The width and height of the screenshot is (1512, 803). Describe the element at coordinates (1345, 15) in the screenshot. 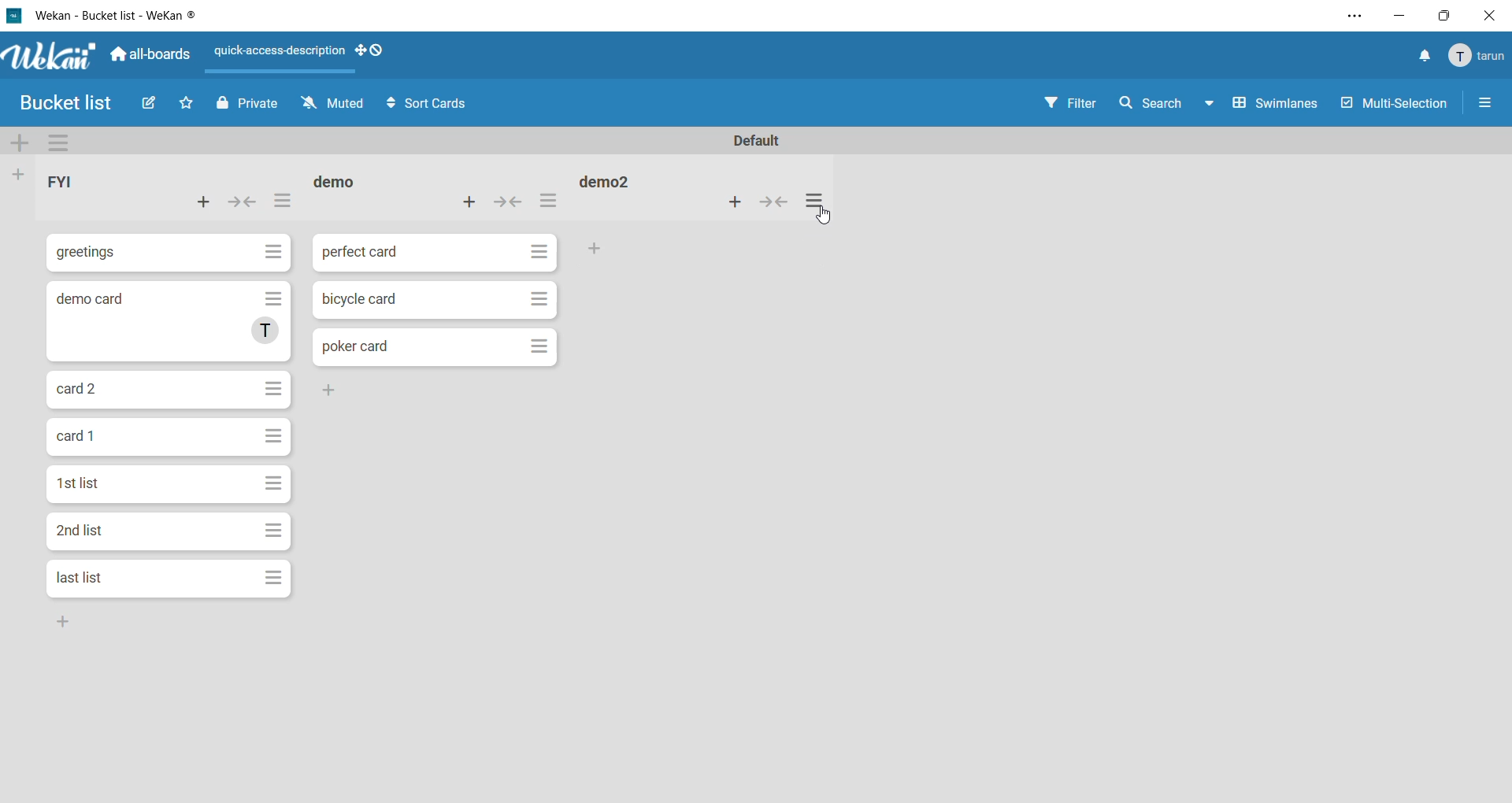

I see `settings` at that location.